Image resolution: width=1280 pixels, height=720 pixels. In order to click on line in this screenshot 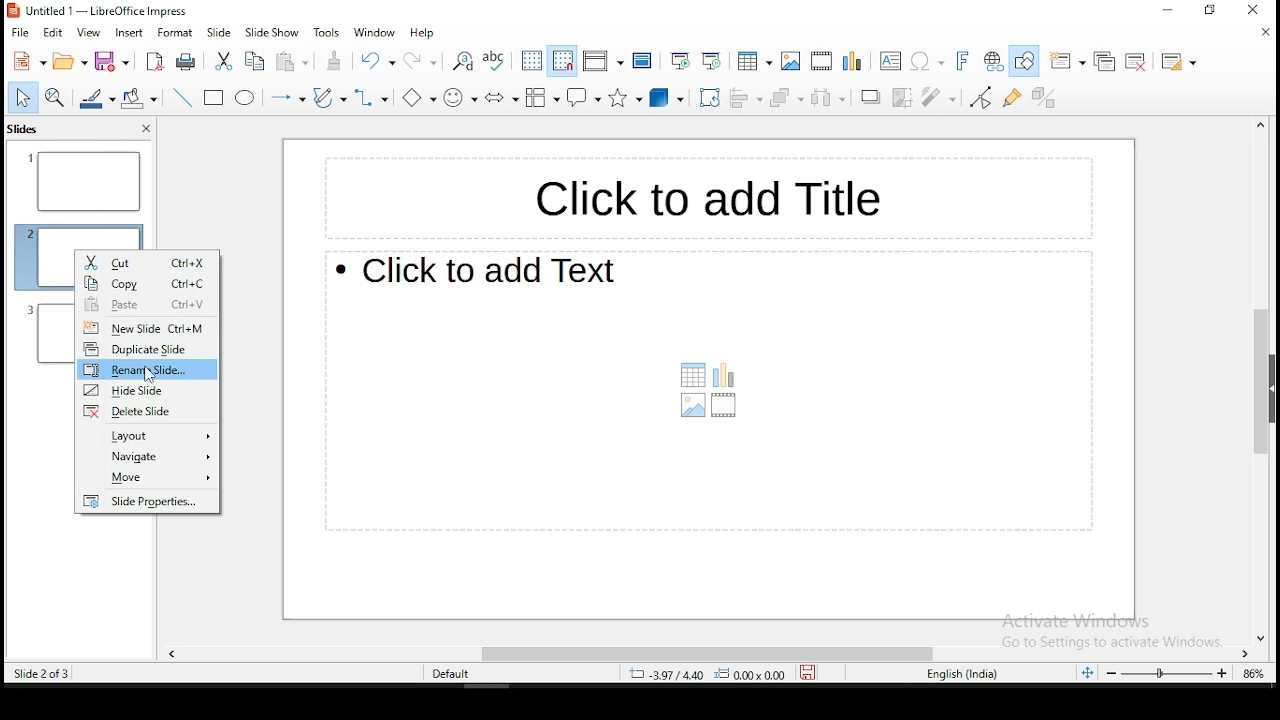, I will do `click(184, 98)`.